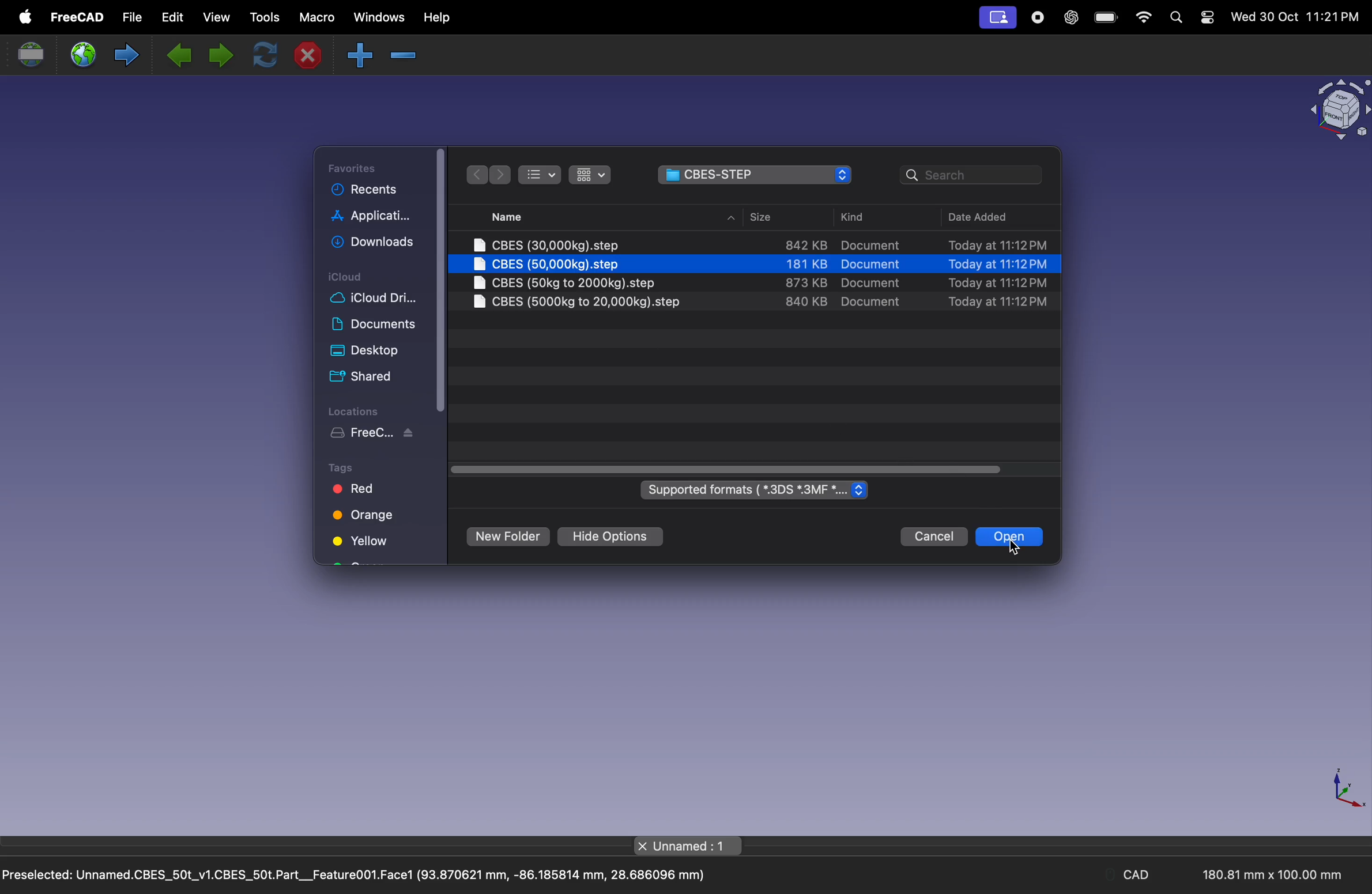 The width and height of the screenshot is (1372, 894). Describe the element at coordinates (377, 18) in the screenshot. I see `windows` at that location.